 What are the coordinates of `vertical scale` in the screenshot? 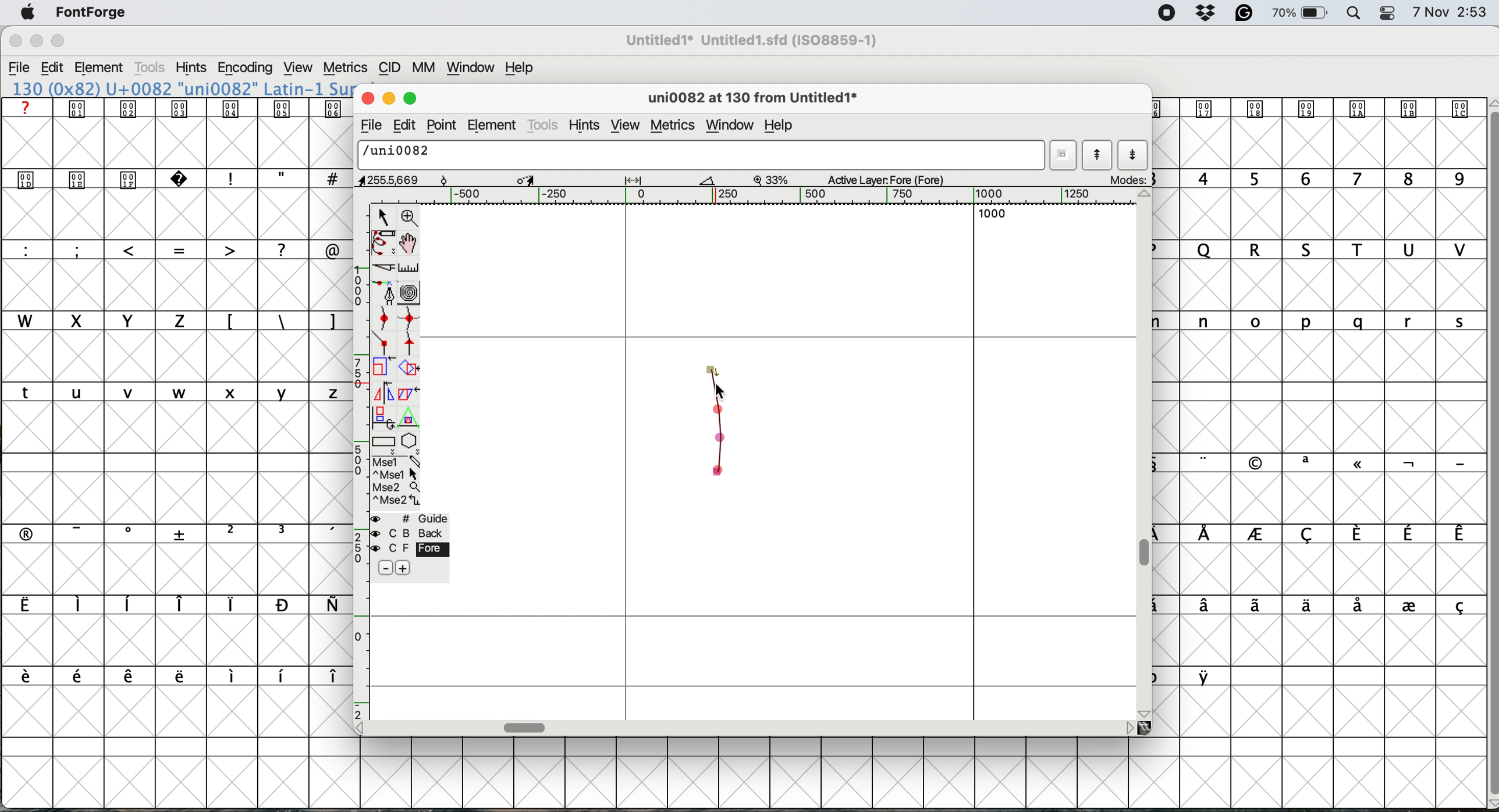 It's located at (358, 461).